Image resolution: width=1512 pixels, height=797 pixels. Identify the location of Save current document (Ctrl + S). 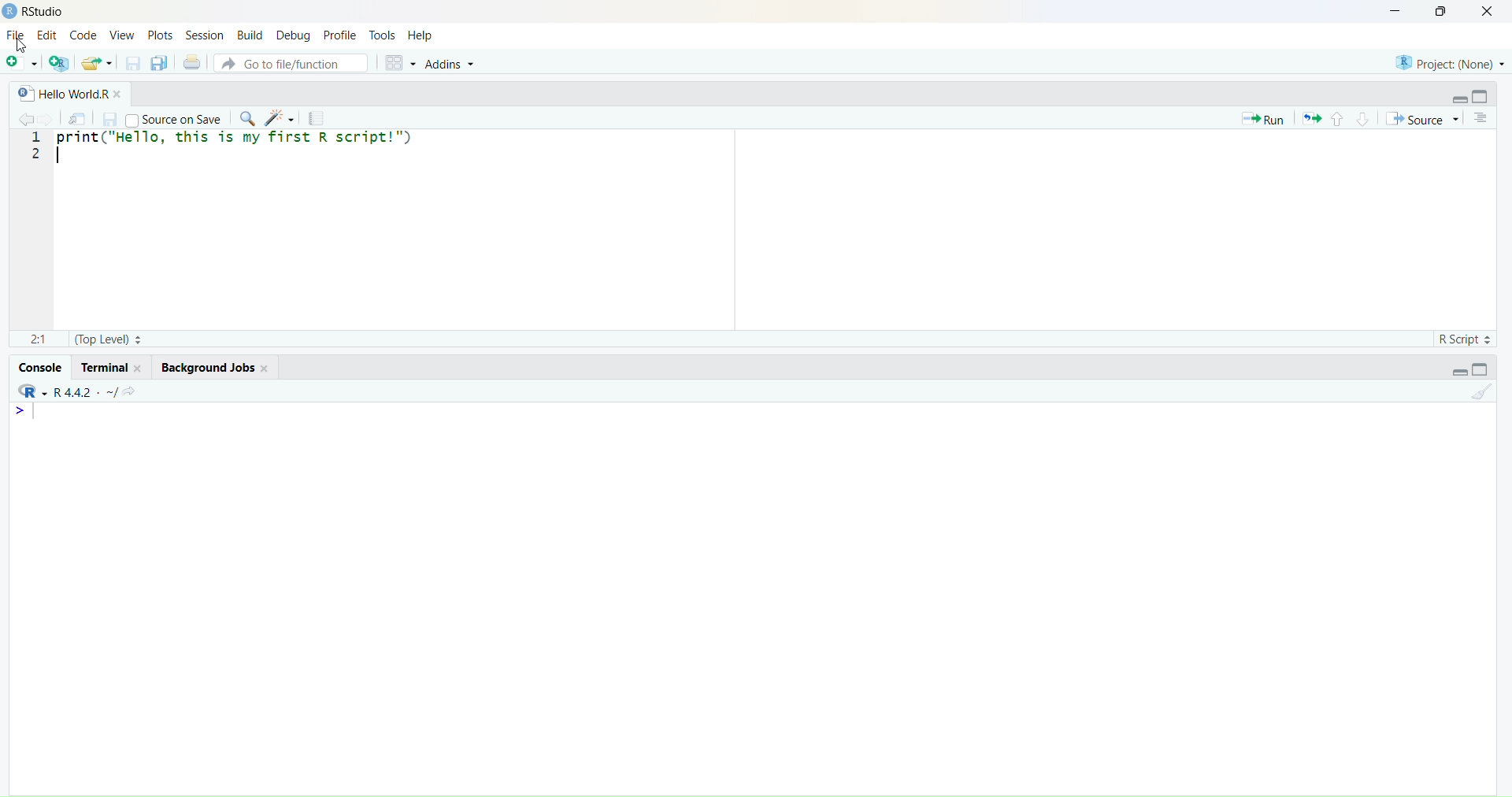
(132, 64).